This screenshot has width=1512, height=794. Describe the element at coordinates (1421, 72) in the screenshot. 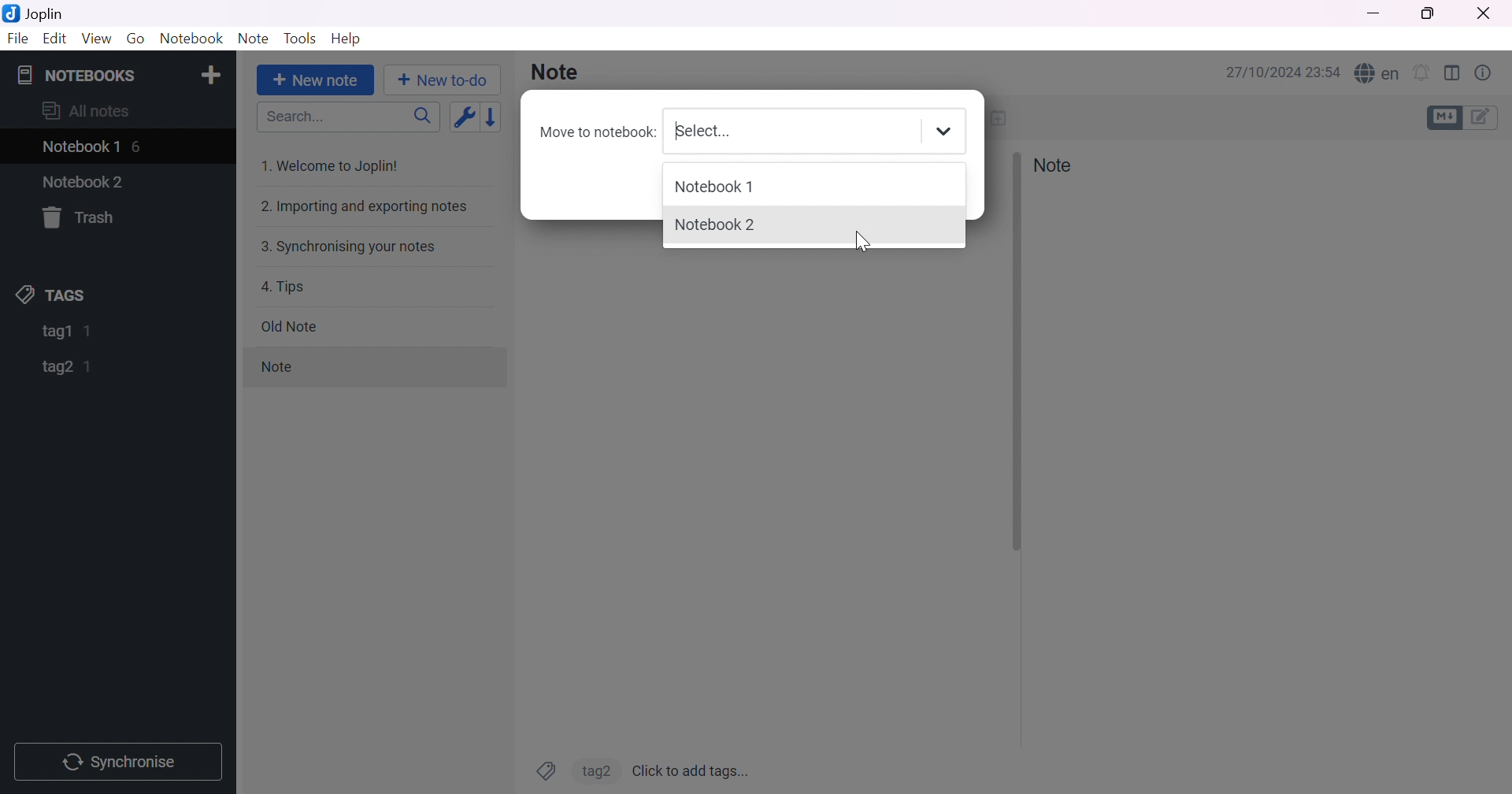

I see `Set alarm` at that location.